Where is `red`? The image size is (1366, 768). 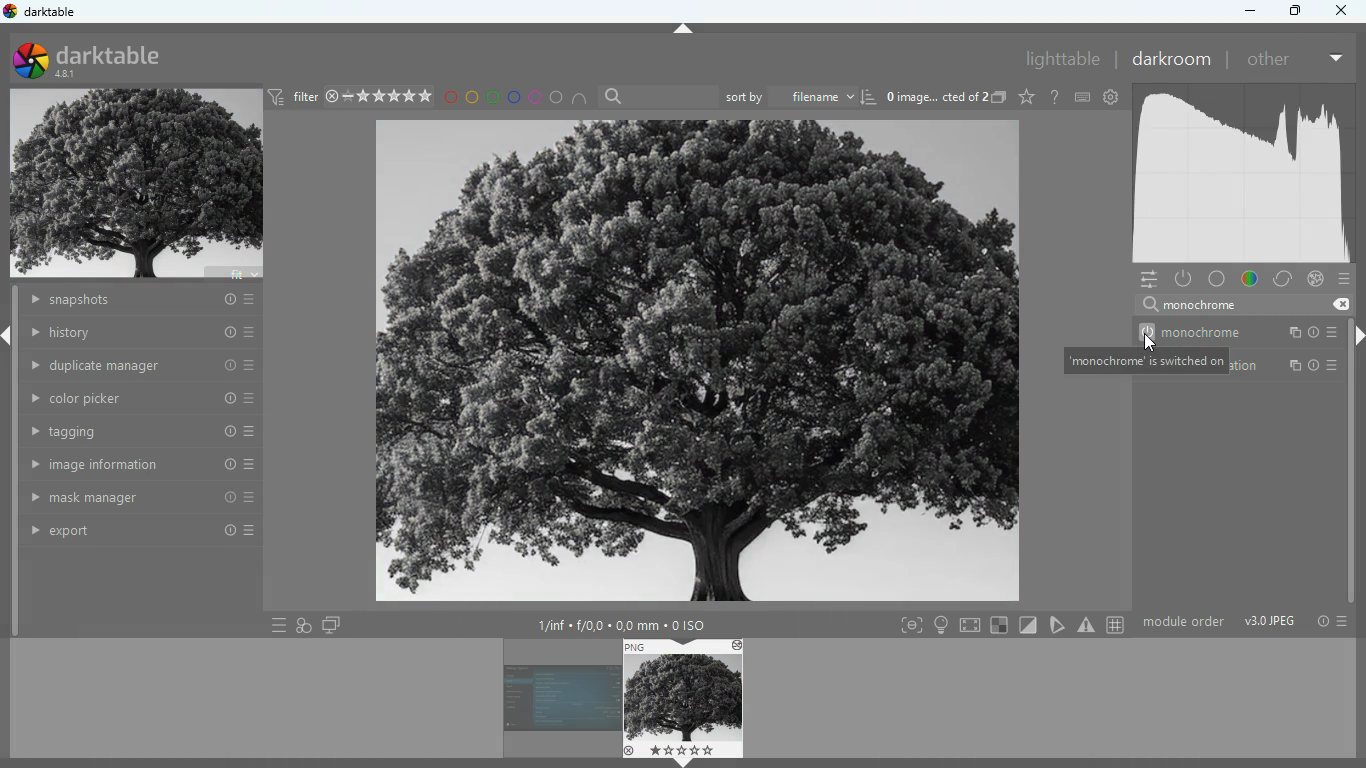
red is located at coordinates (449, 98).